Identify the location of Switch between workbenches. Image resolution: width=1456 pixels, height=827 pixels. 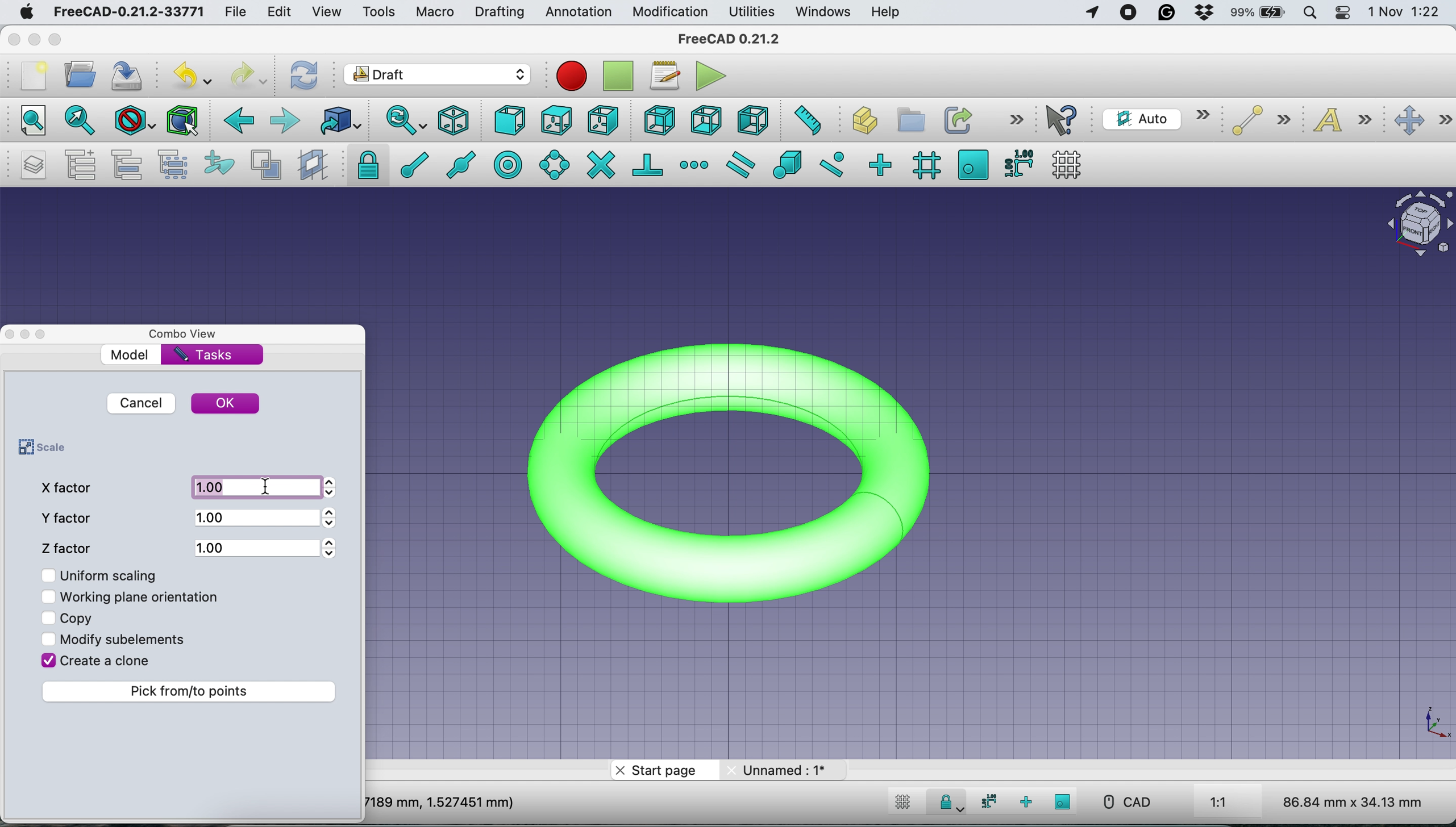
(437, 76).